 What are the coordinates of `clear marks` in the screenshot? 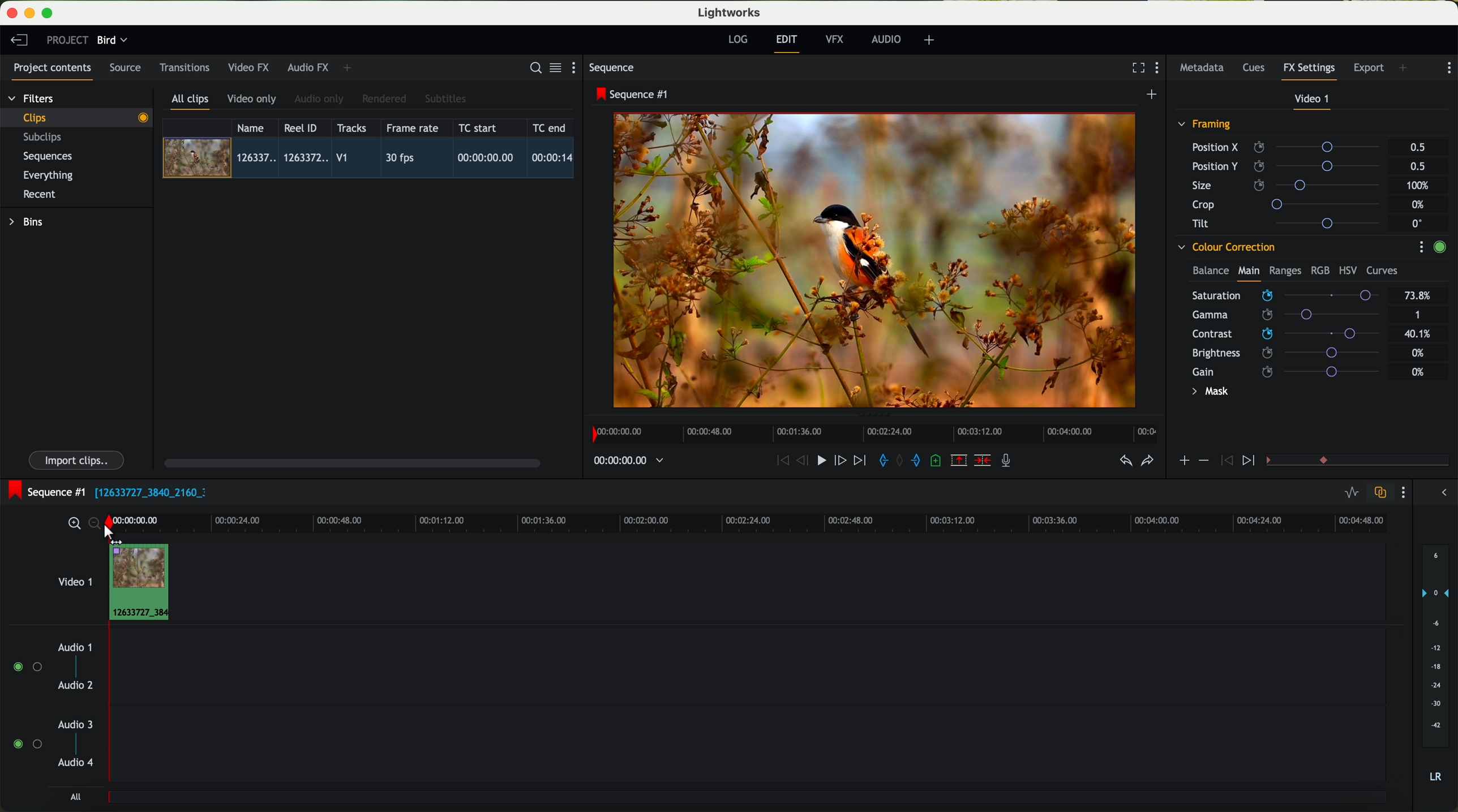 It's located at (900, 461).